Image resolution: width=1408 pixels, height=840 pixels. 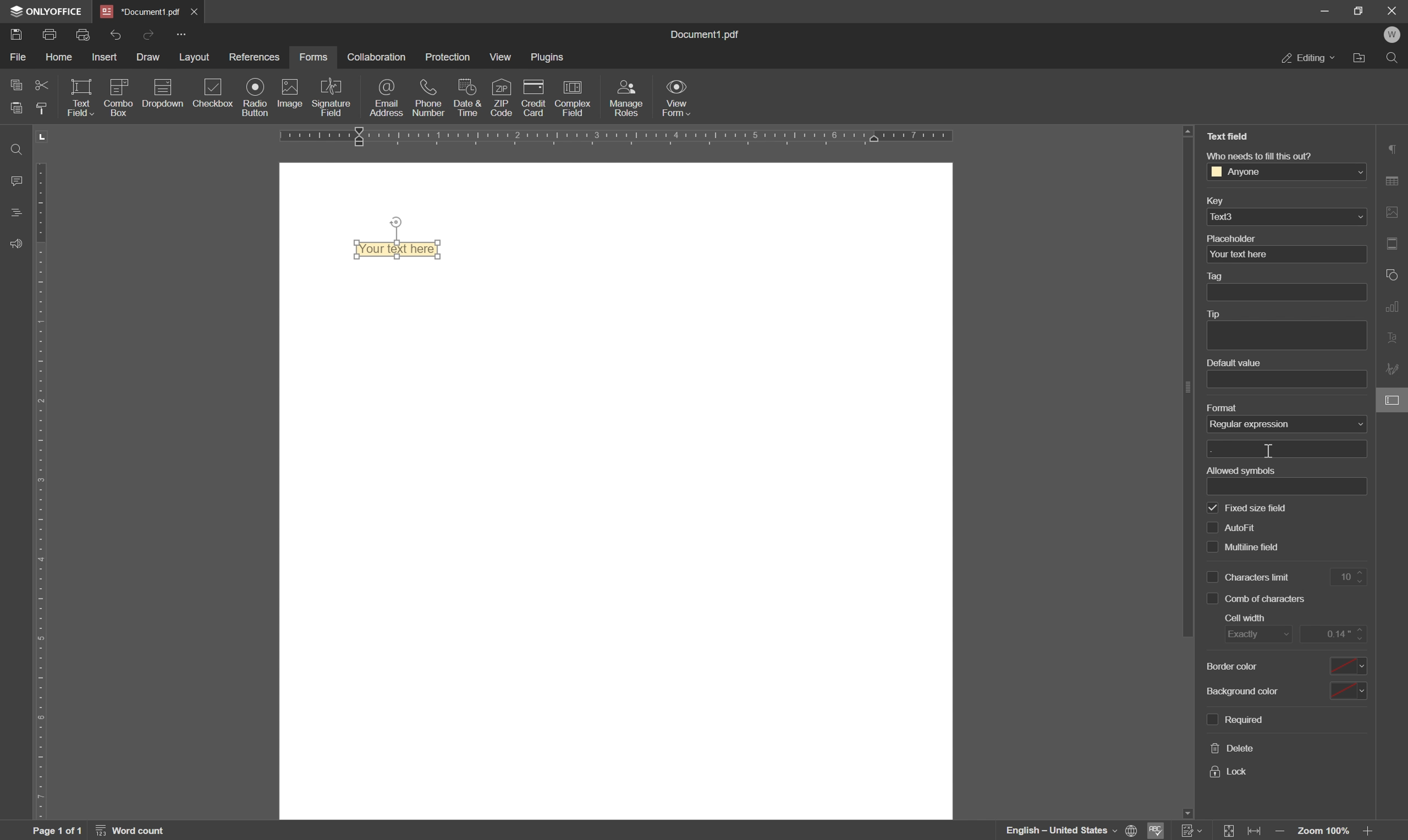 I want to click on select background color, so click(x=1349, y=689).